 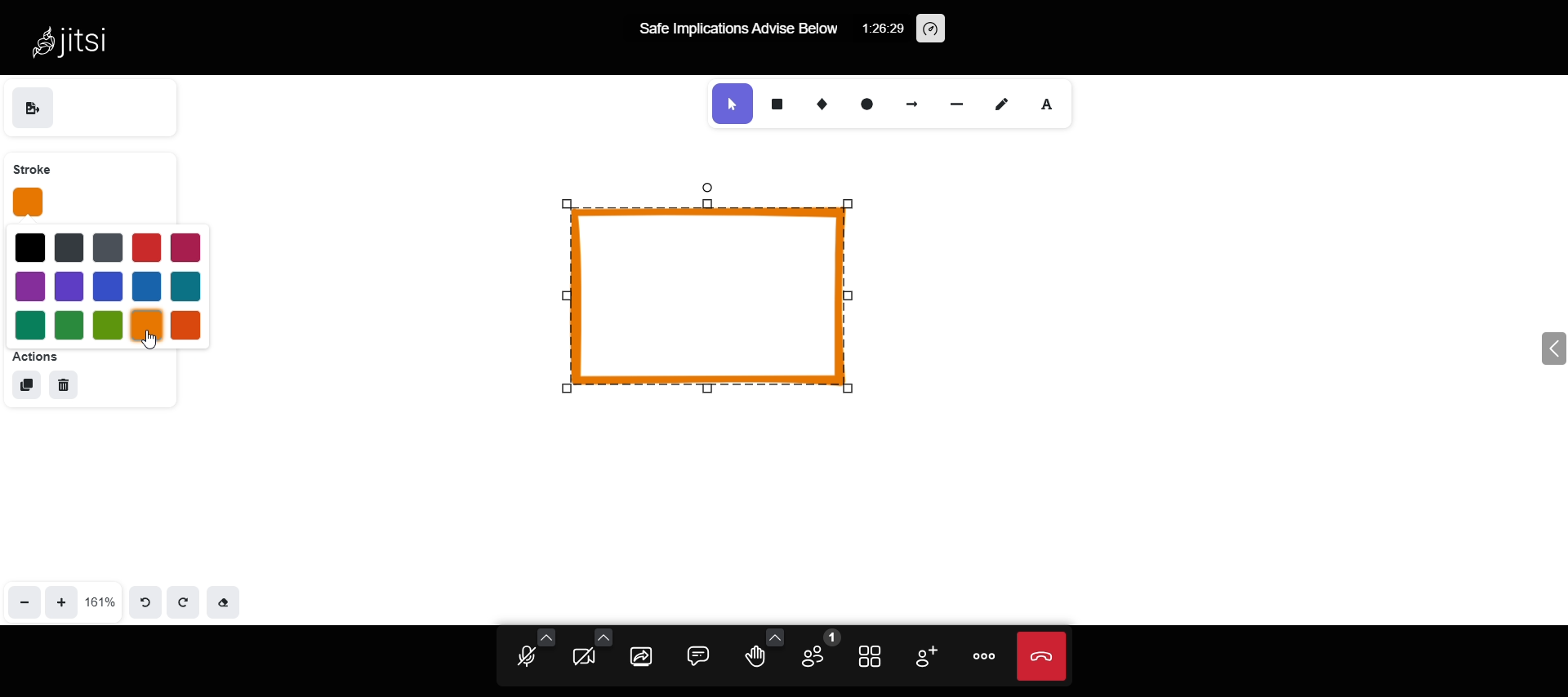 What do you see at coordinates (983, 653) in the screenshot?
I see `more option` at bounding box center [983, 653].